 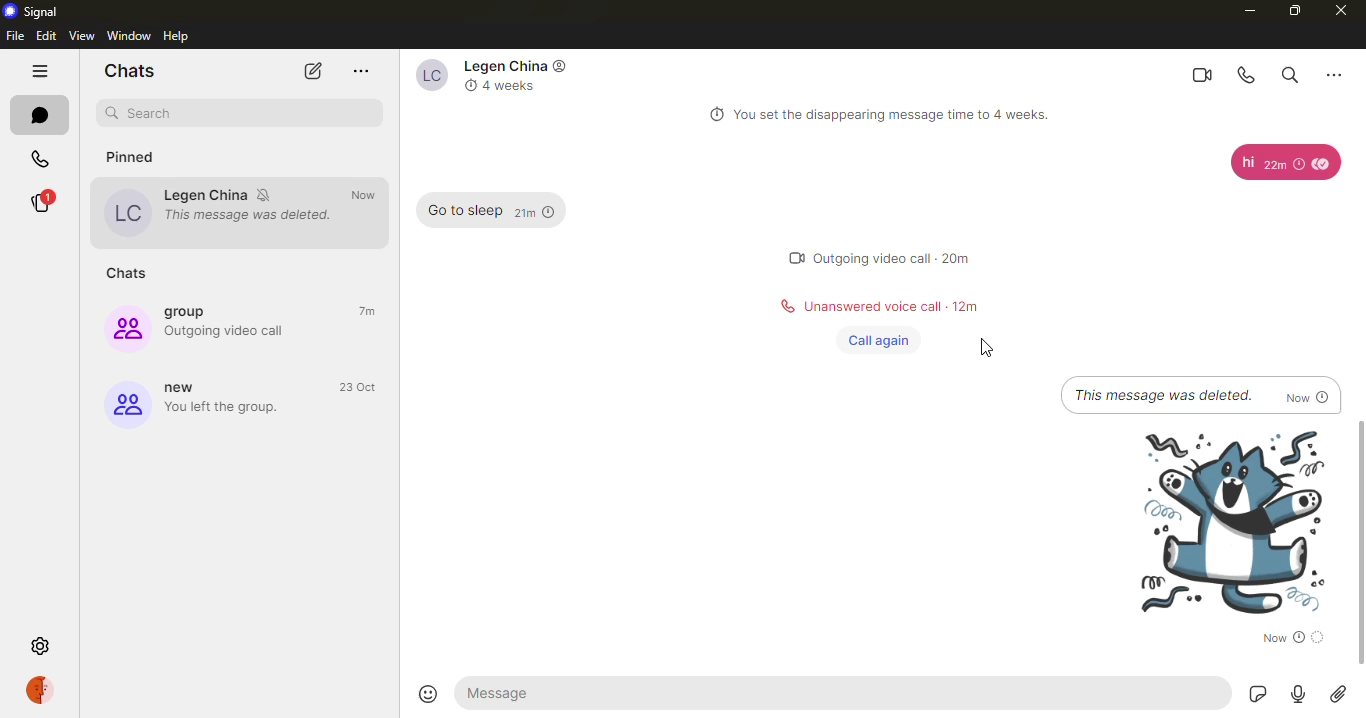 I want to click on Legen China, so click(x=506, y=65).